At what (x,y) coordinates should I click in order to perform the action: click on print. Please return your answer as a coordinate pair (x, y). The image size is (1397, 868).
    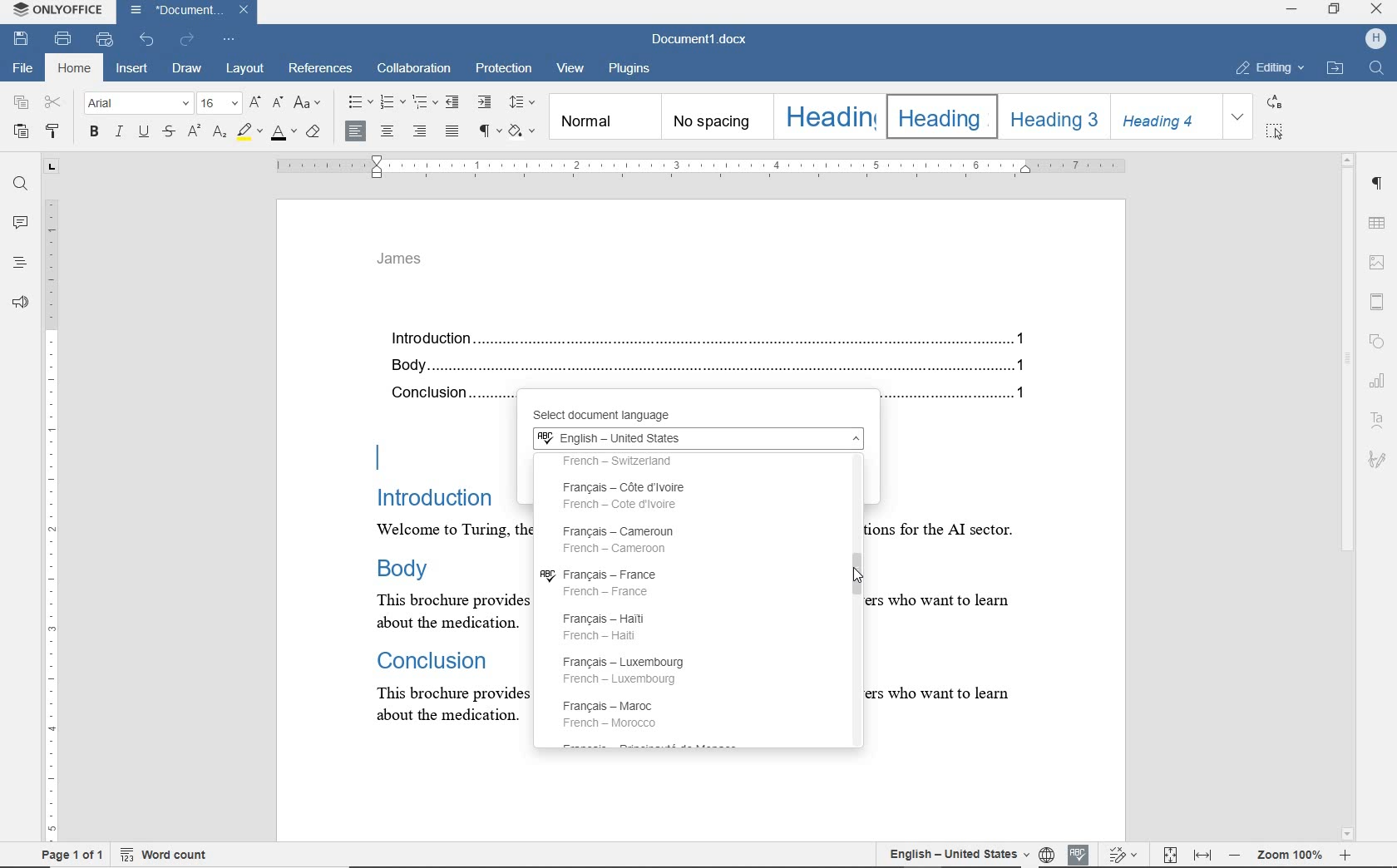
    Looking at the image, I should click on (65, 38).